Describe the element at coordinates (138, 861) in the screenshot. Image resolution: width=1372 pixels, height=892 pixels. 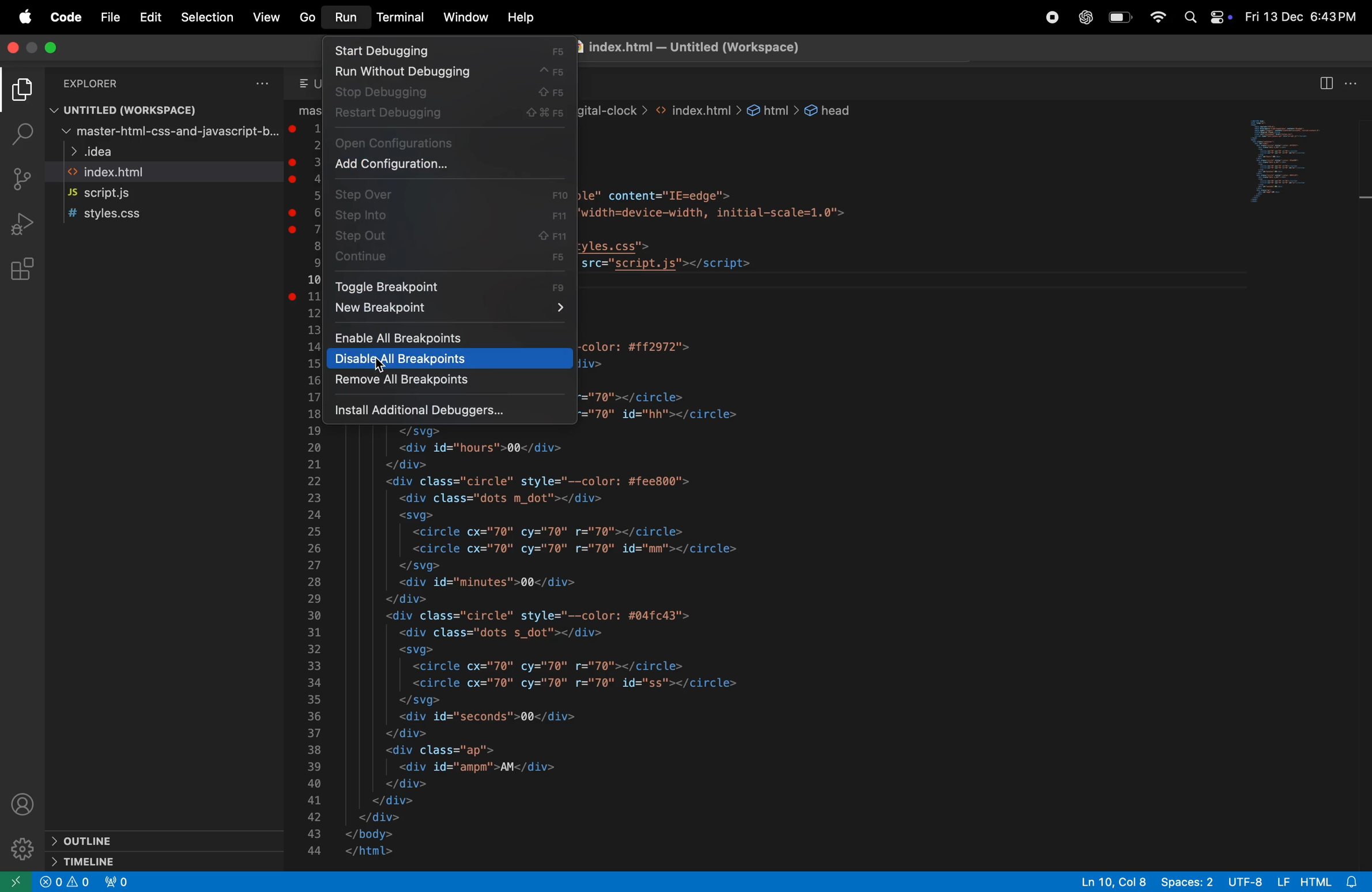
I see `timeline` at that location.